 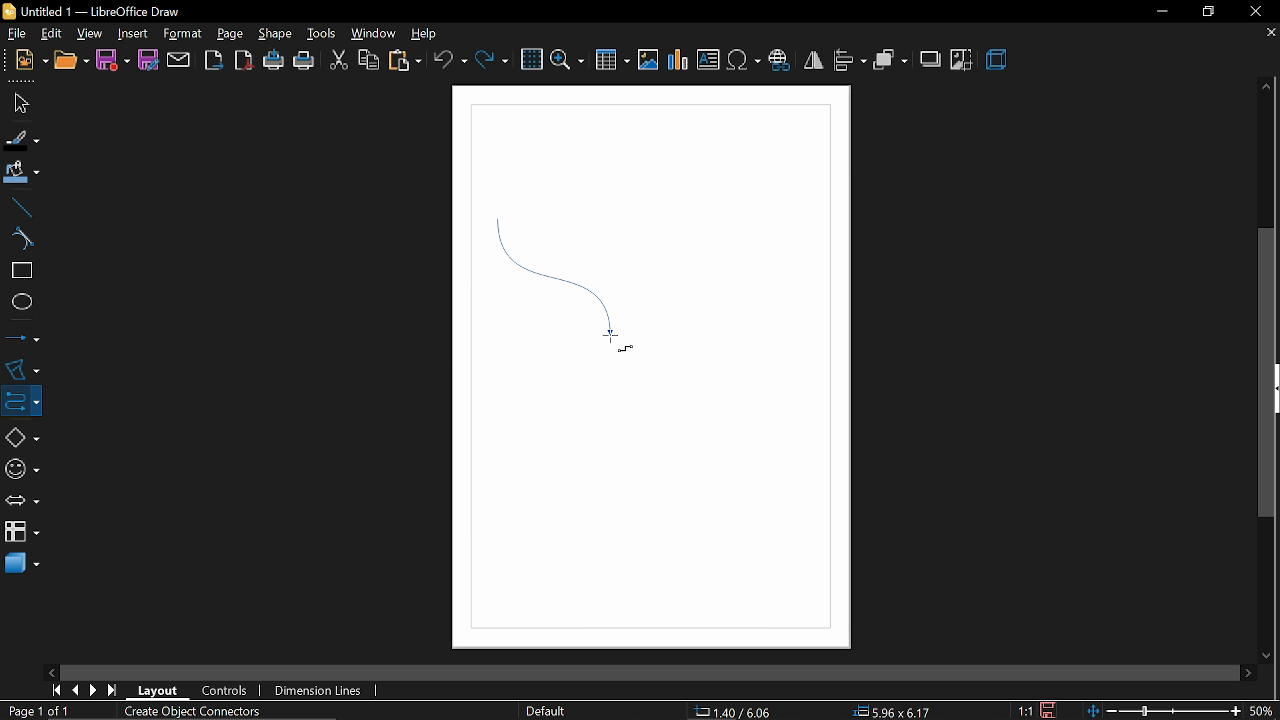 What do you see at coordinates (18, 434) in the screenshot?
I see `basic shapes` at bounding box center [18, 434].